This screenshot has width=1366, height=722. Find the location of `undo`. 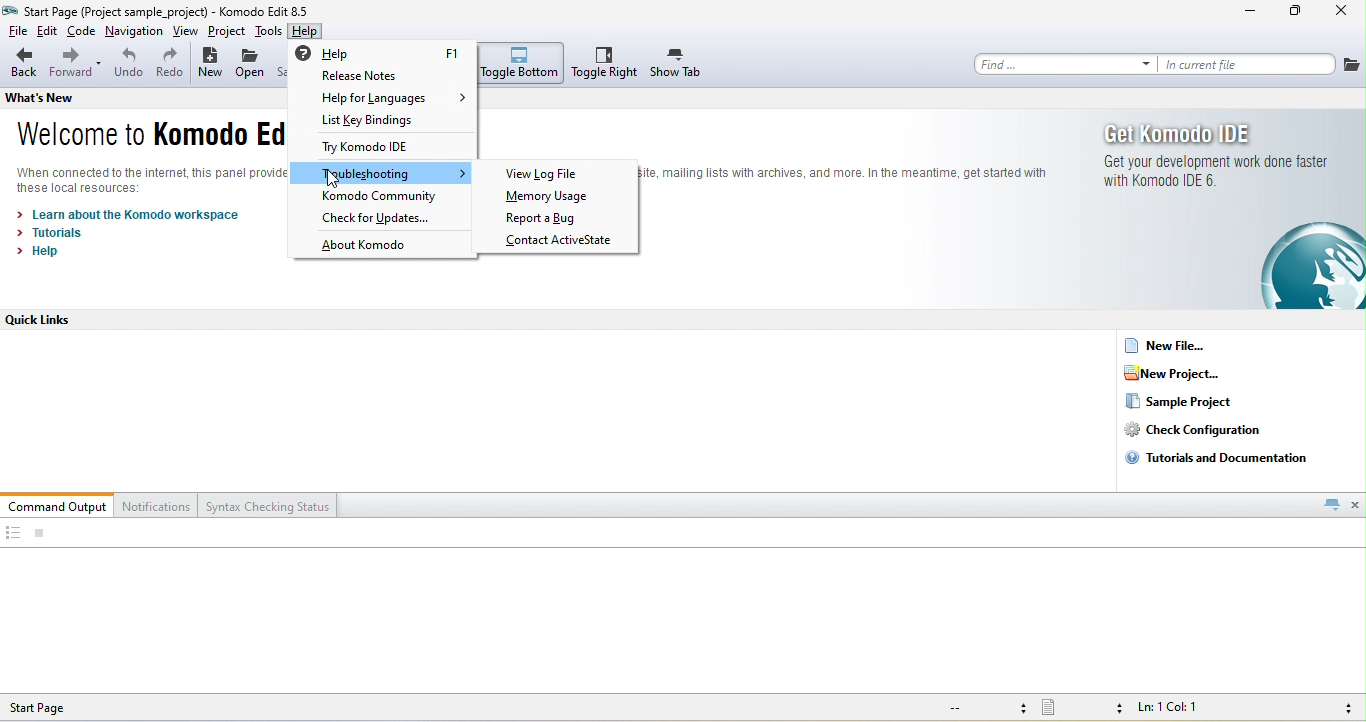

undo is located at coordinates (128, 66).